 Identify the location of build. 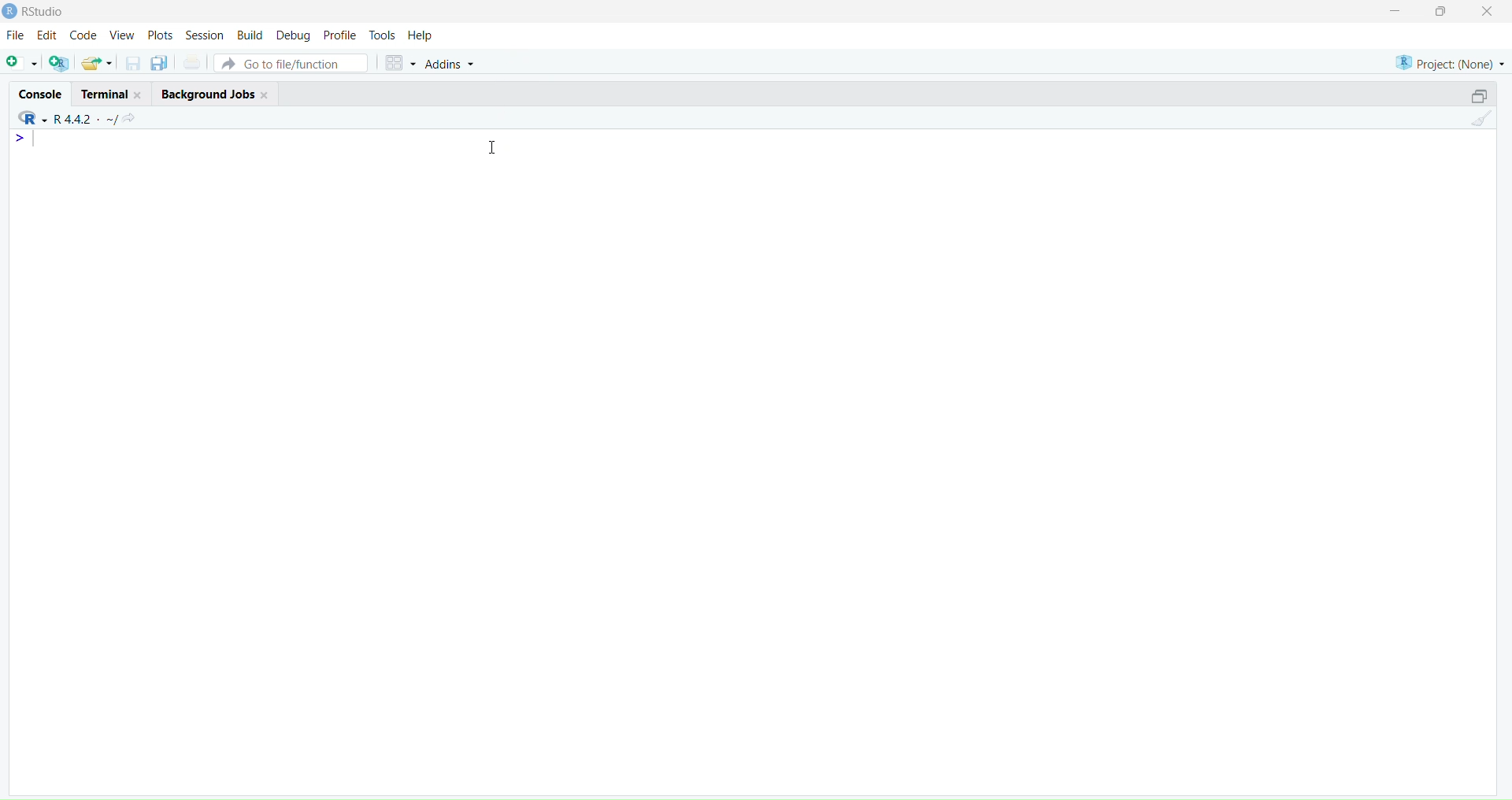
(251, 35).